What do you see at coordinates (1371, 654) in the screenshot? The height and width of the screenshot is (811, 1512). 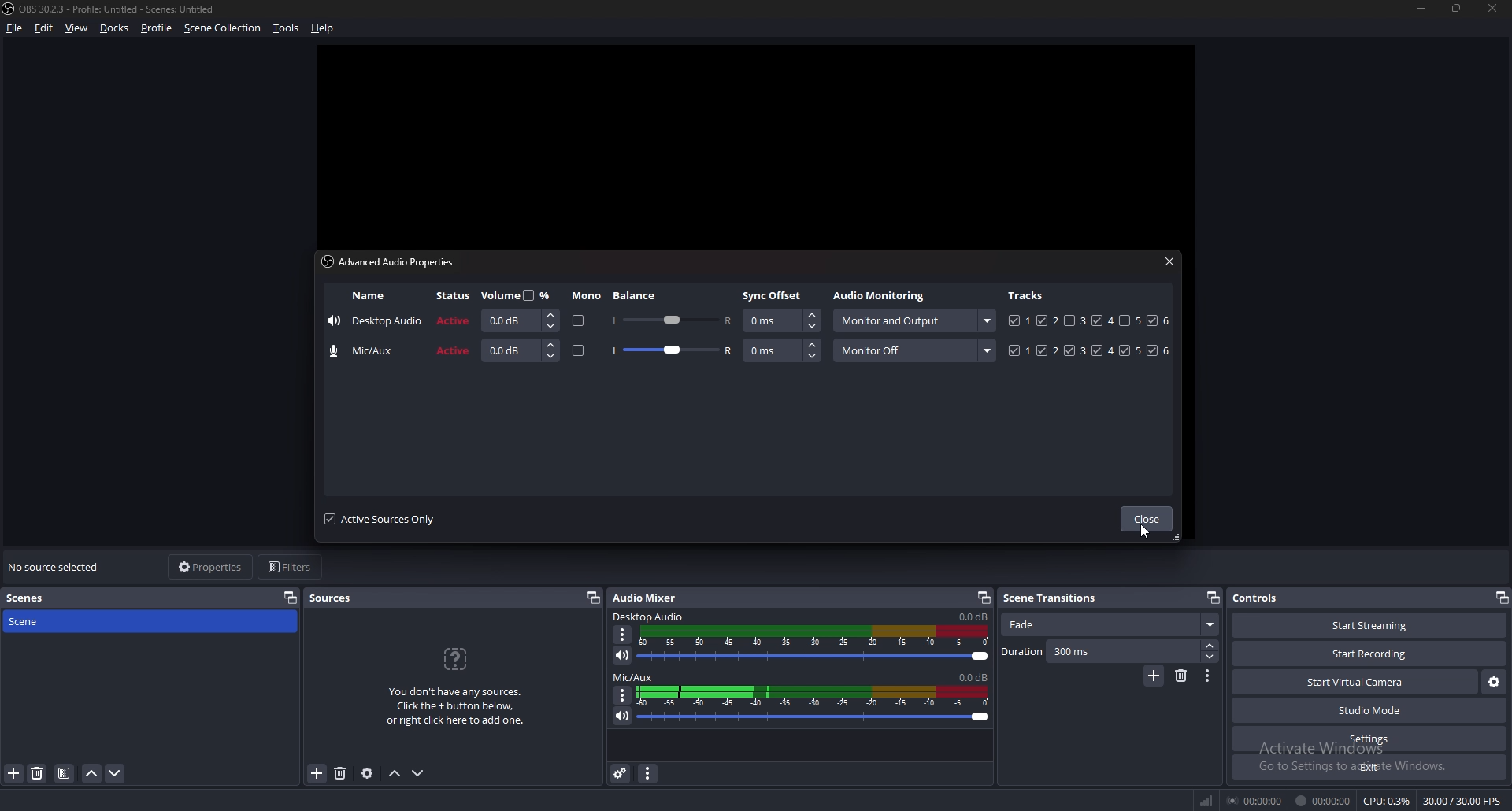 I see `start recording` at bounding box center [1371, 654].